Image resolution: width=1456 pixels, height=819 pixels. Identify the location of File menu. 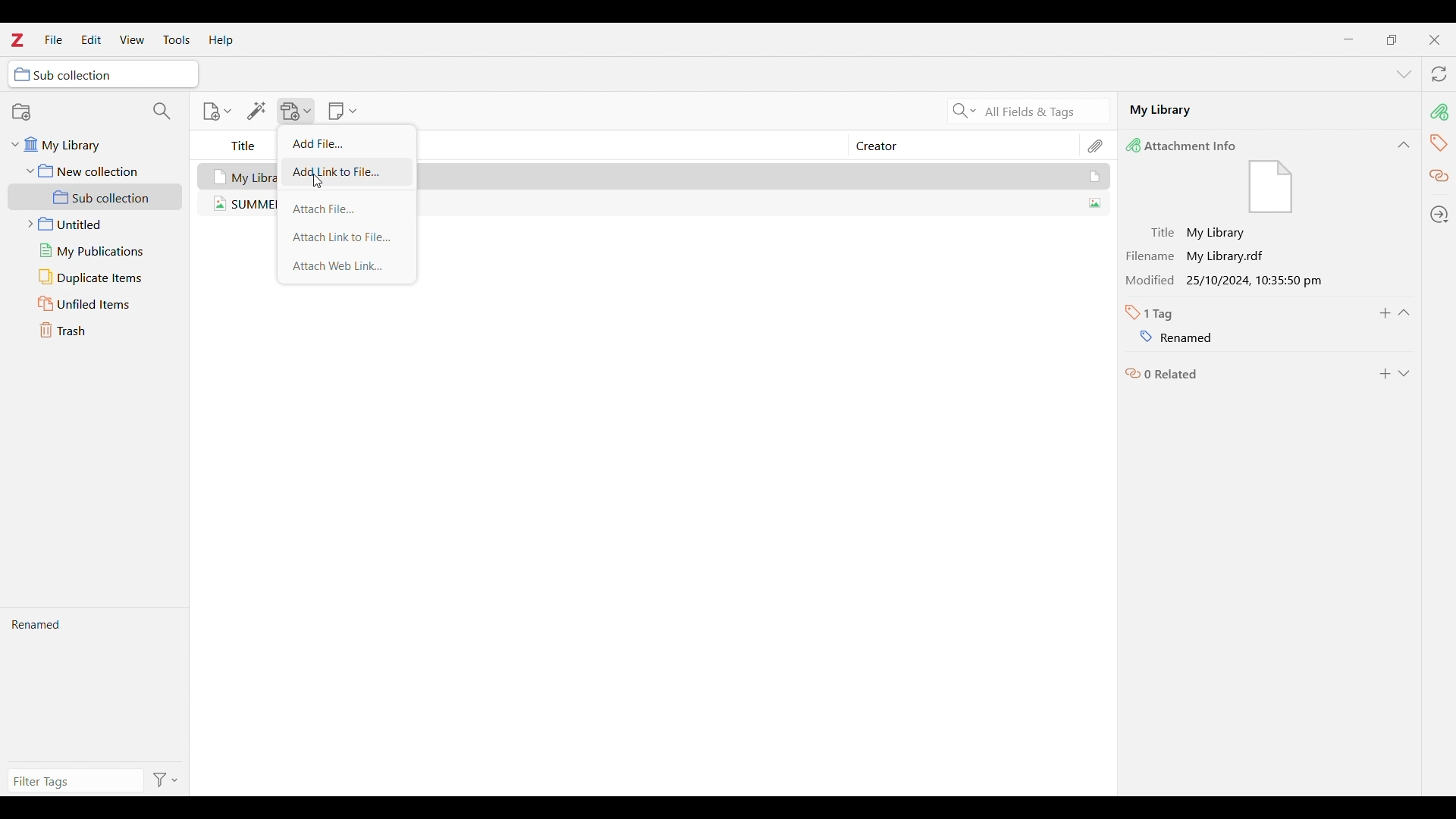
(54, 39).